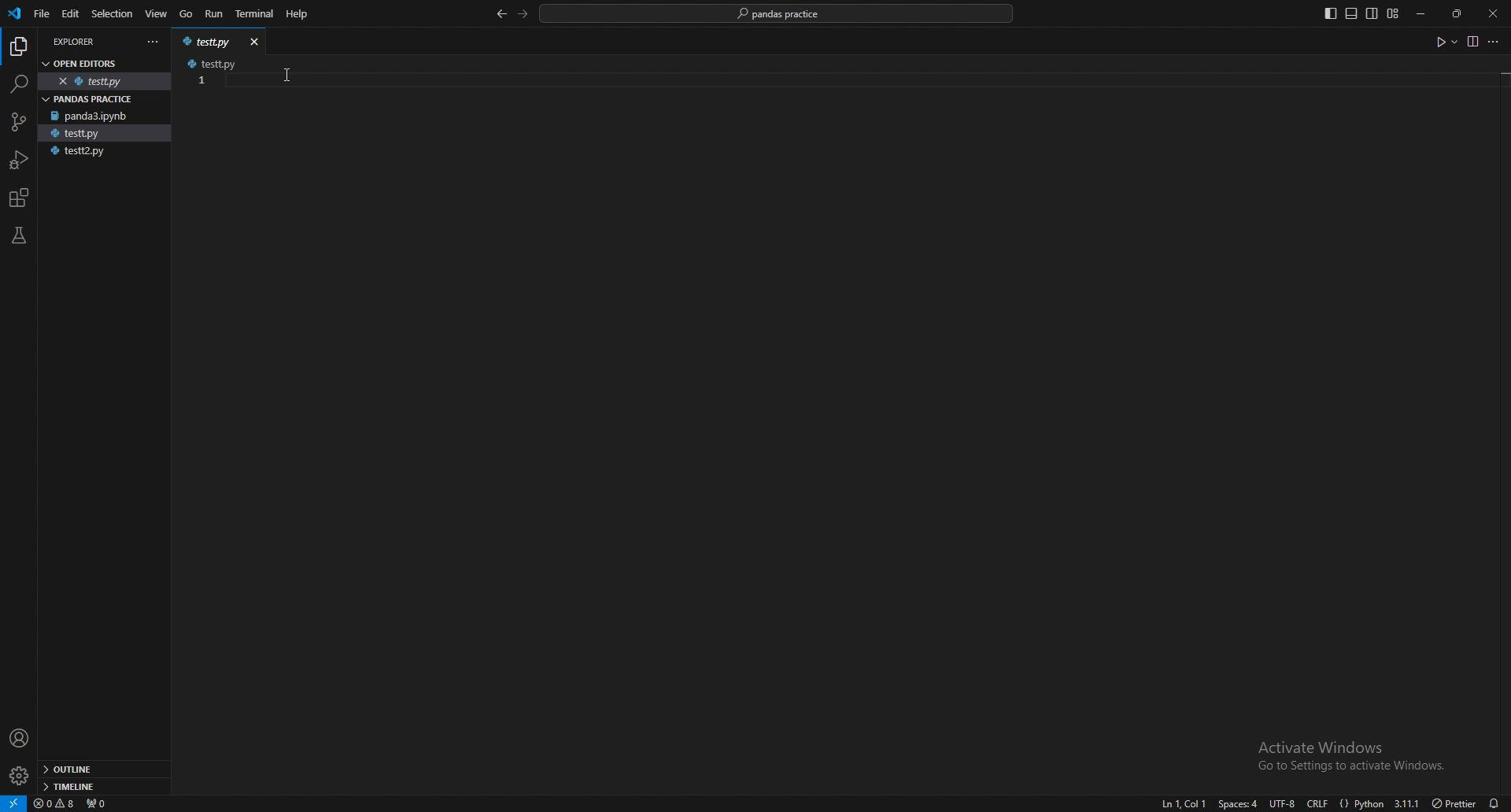 The width and height of the screenshot is (1511, 812). Describe the element at coordinates (1496, 43) in the screenshot. I see `more options` at that location.